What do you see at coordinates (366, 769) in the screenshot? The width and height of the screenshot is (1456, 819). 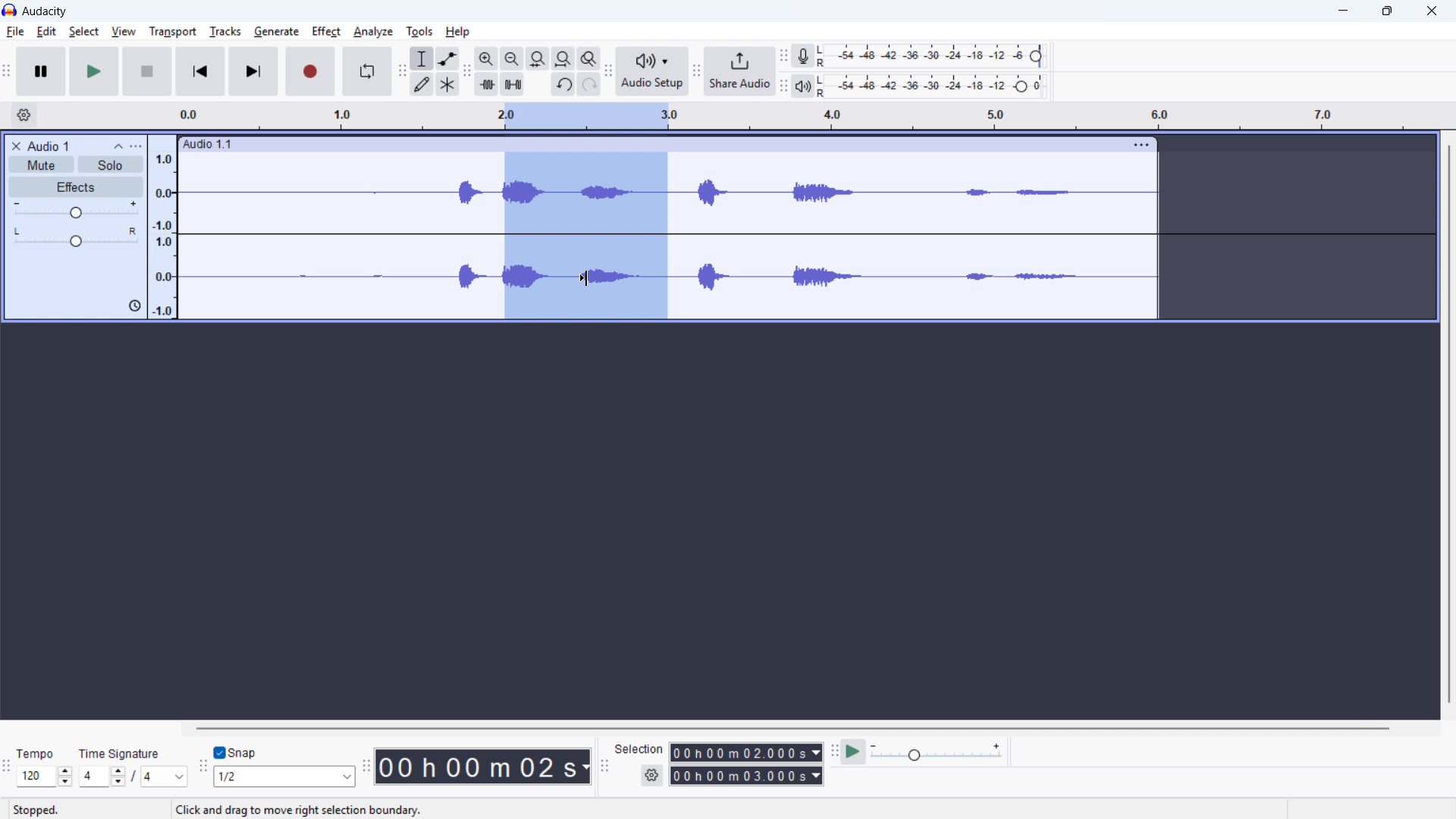 I see `Time toolbar ` at bounding box center [366, 769].